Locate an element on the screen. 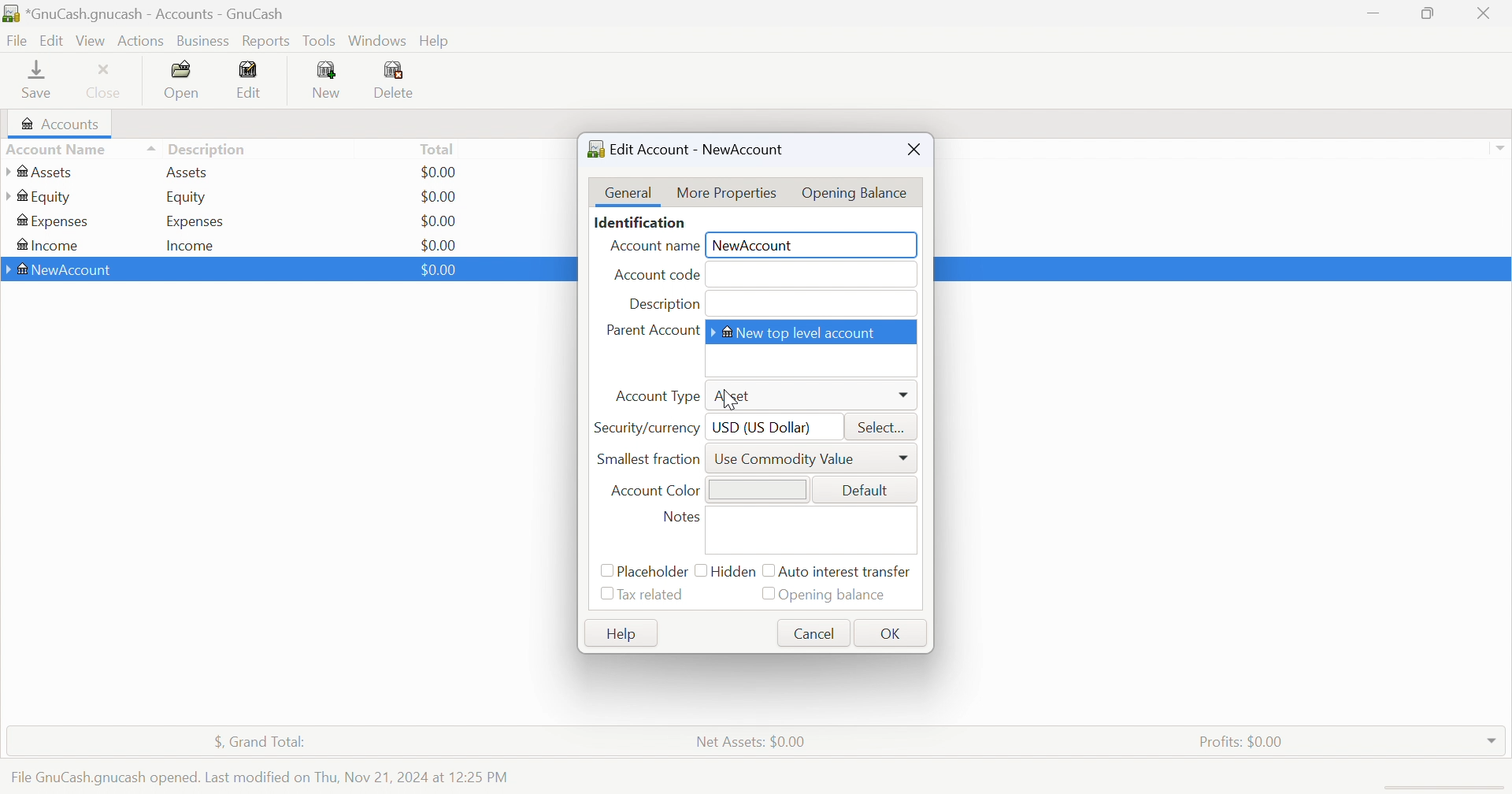  Minimize is located at coordinates (1369, 9).